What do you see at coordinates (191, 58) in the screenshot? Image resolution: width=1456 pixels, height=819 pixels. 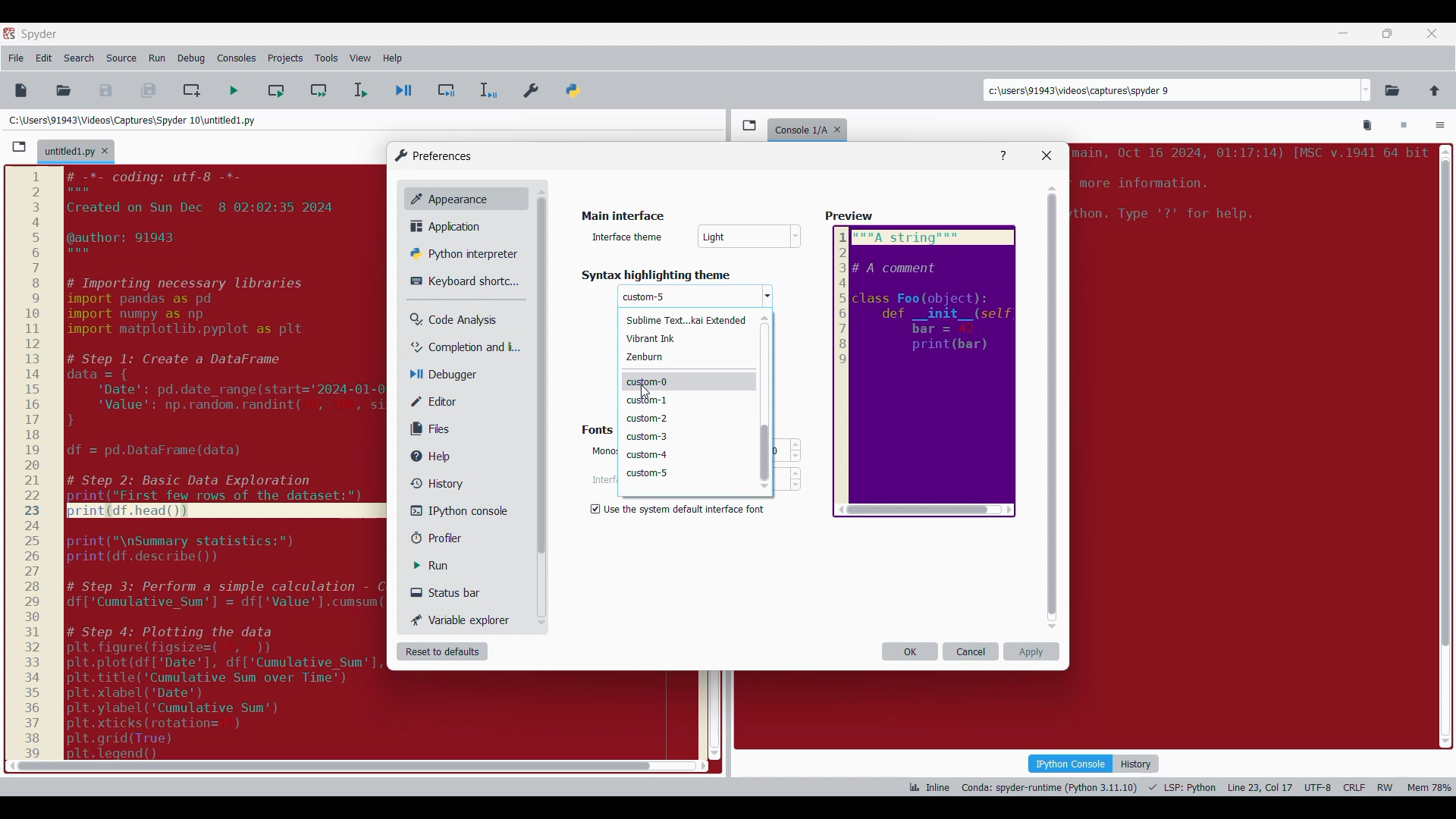 I see `Debug menu` at bounding box center [191, 58].